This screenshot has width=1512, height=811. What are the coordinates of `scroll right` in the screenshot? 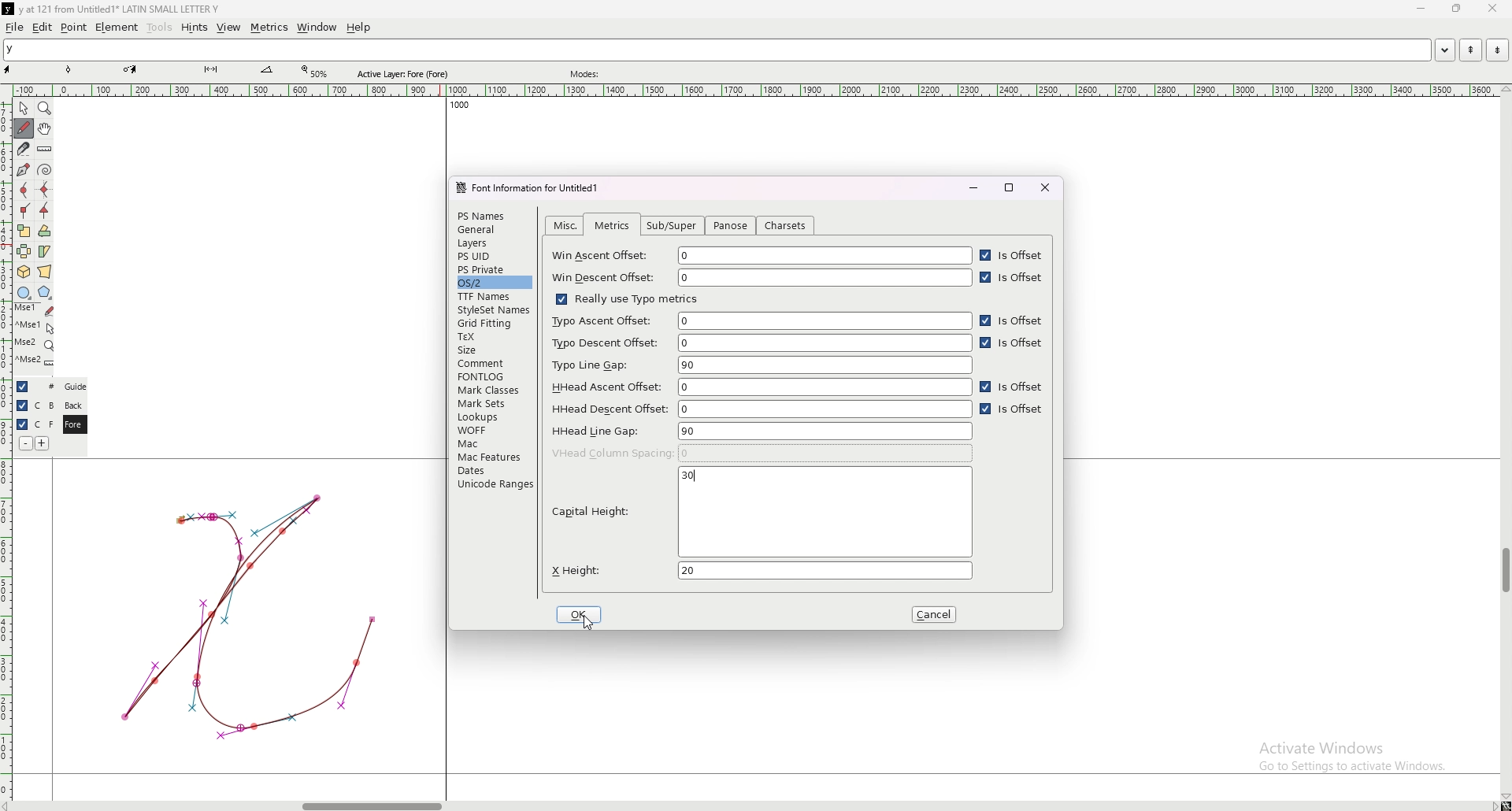 It's located at (10, 805).